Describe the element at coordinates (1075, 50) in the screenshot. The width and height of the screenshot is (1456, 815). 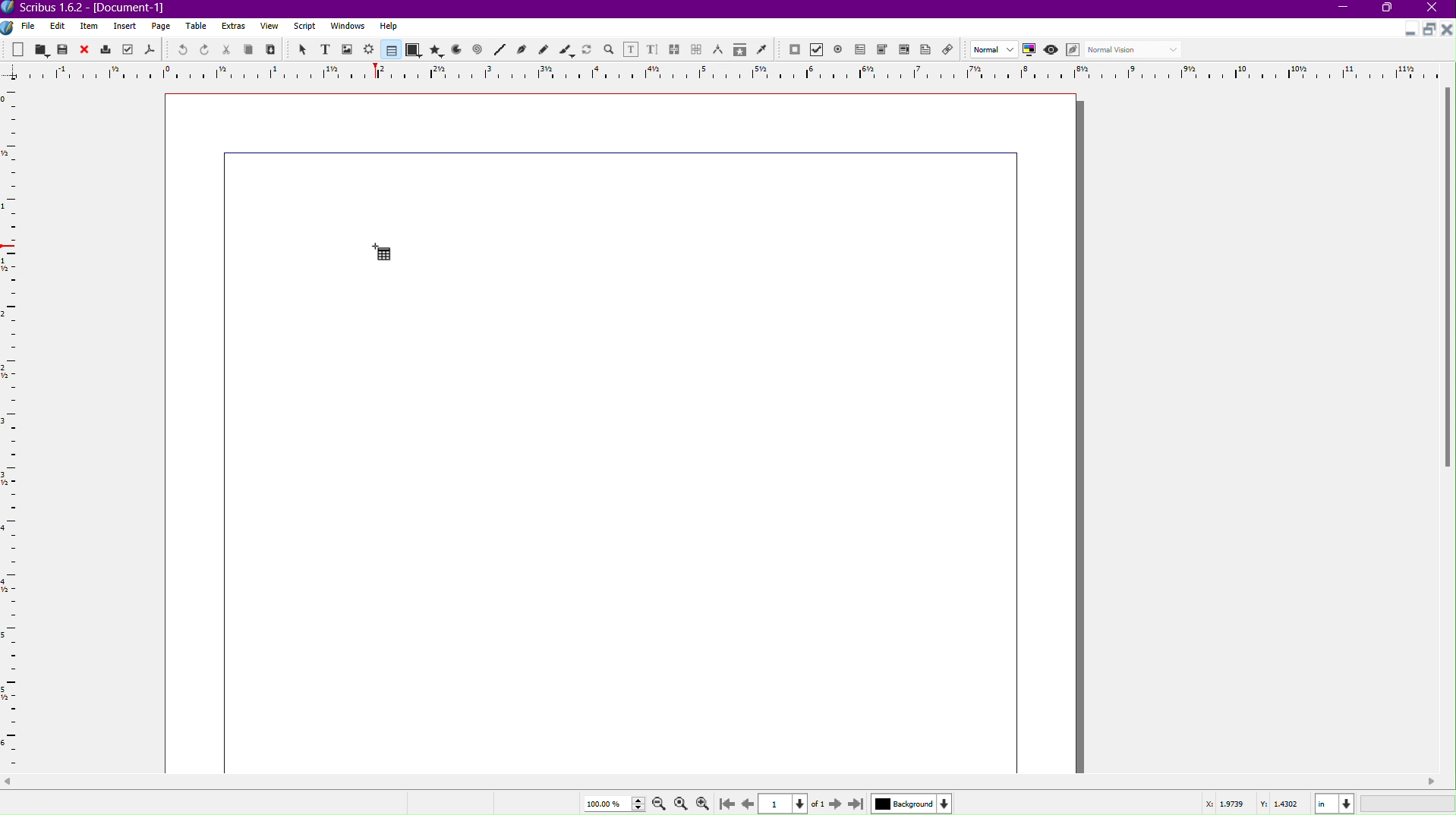
I see `Edit in Preview Mode` at that location.